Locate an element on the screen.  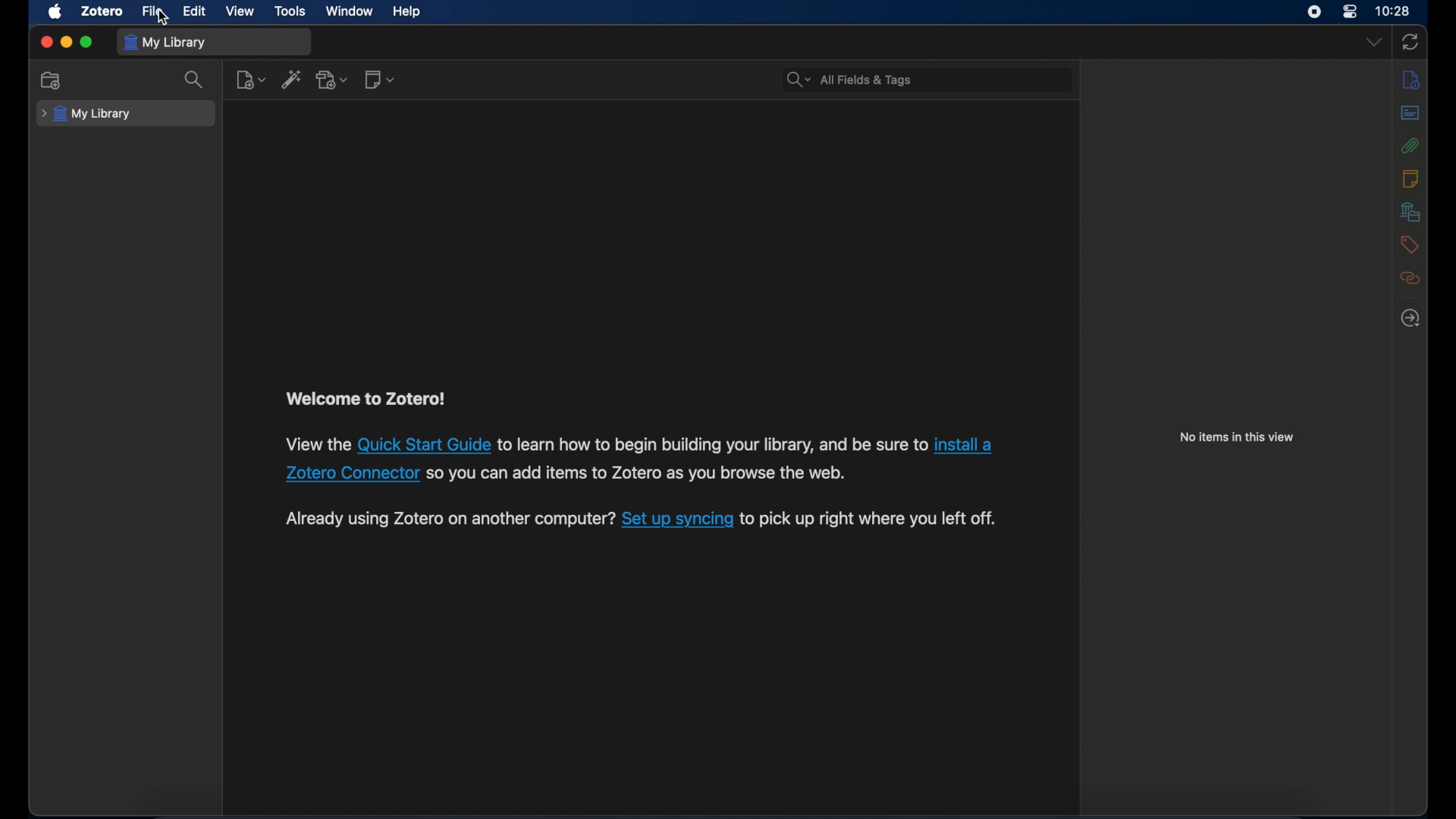
link is located at coordinates (713, 446).